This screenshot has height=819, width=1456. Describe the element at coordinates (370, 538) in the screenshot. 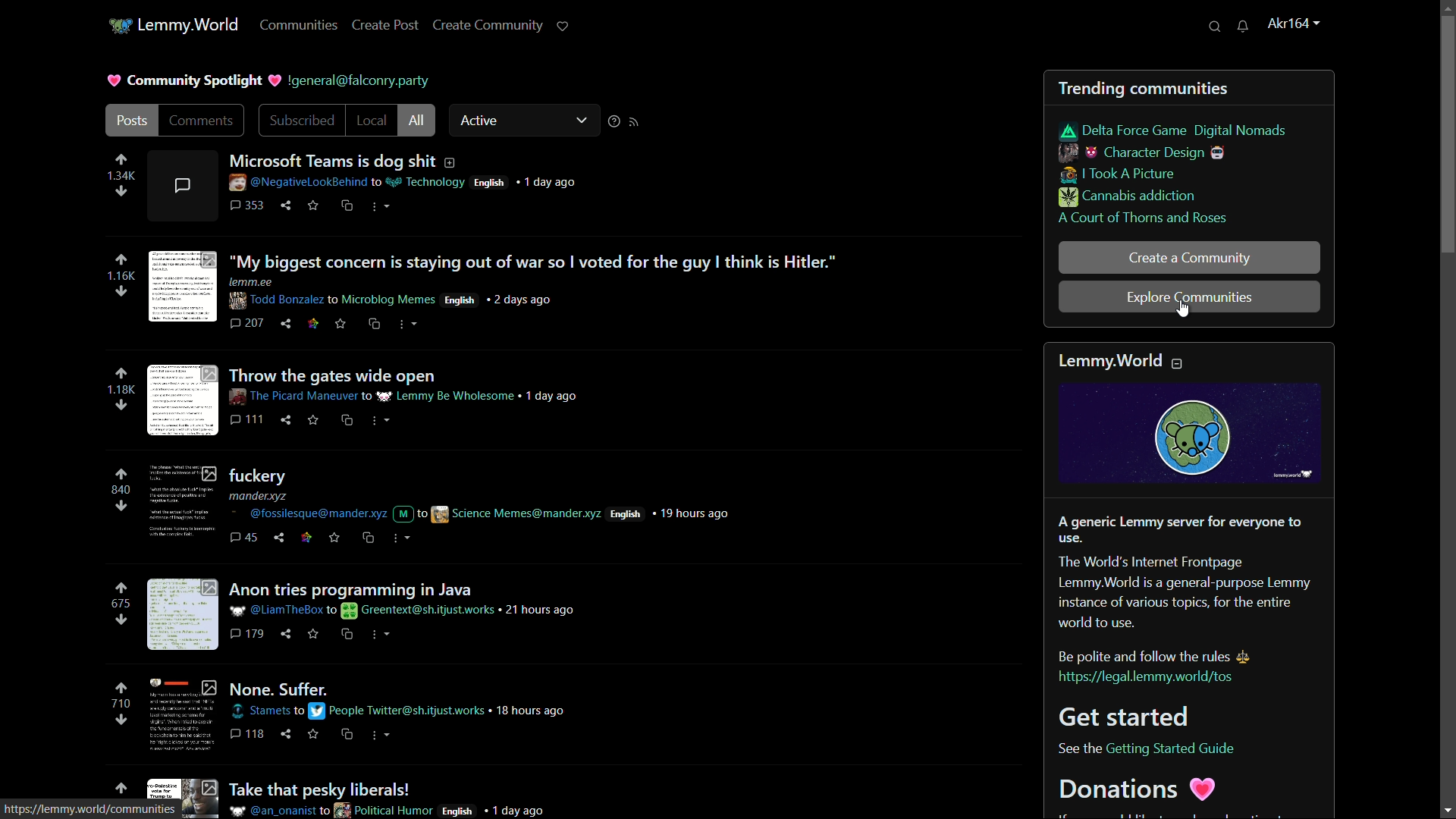

I see `cs` at that location.